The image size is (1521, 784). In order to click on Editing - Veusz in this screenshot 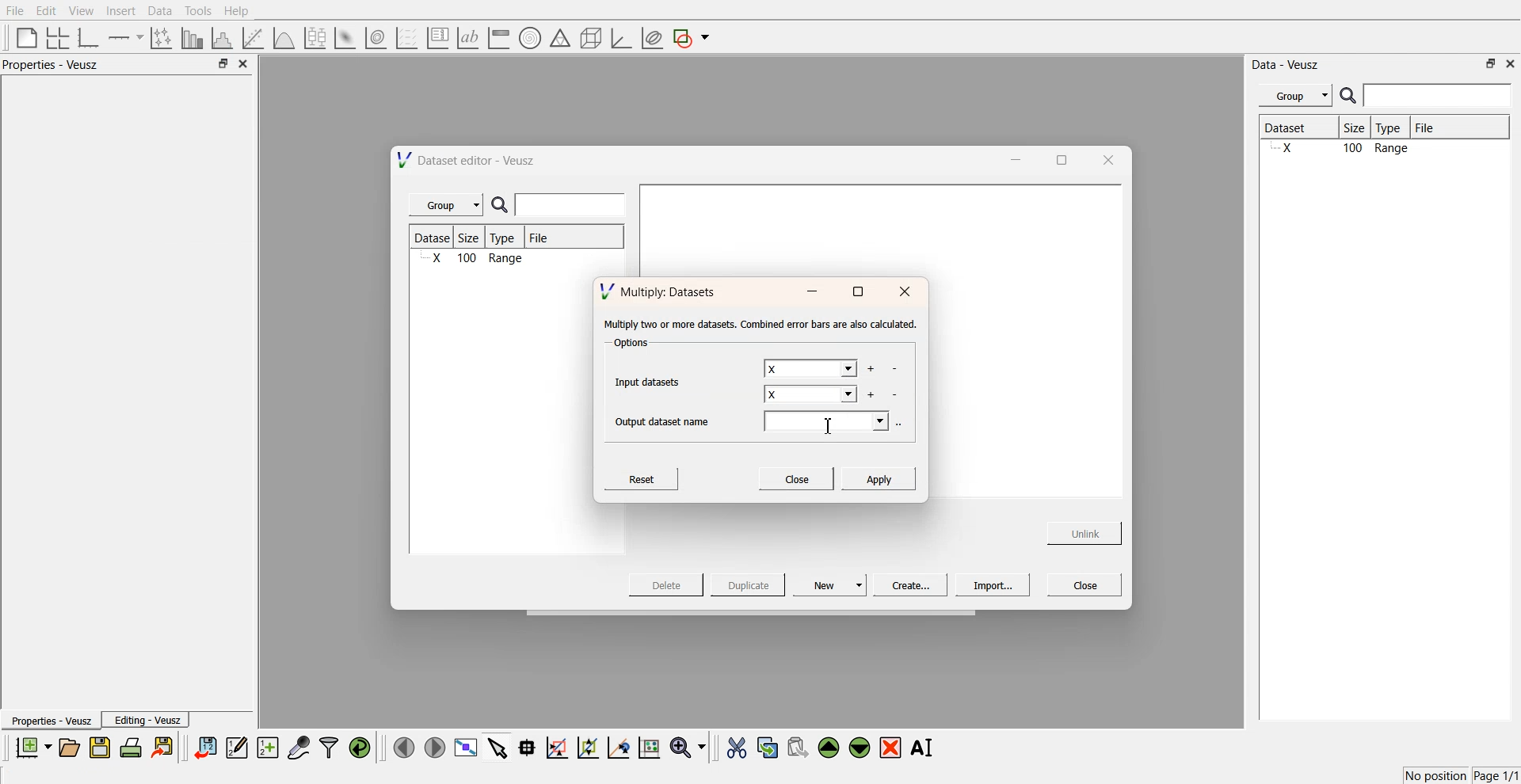, I will do `click(147, 720)`.